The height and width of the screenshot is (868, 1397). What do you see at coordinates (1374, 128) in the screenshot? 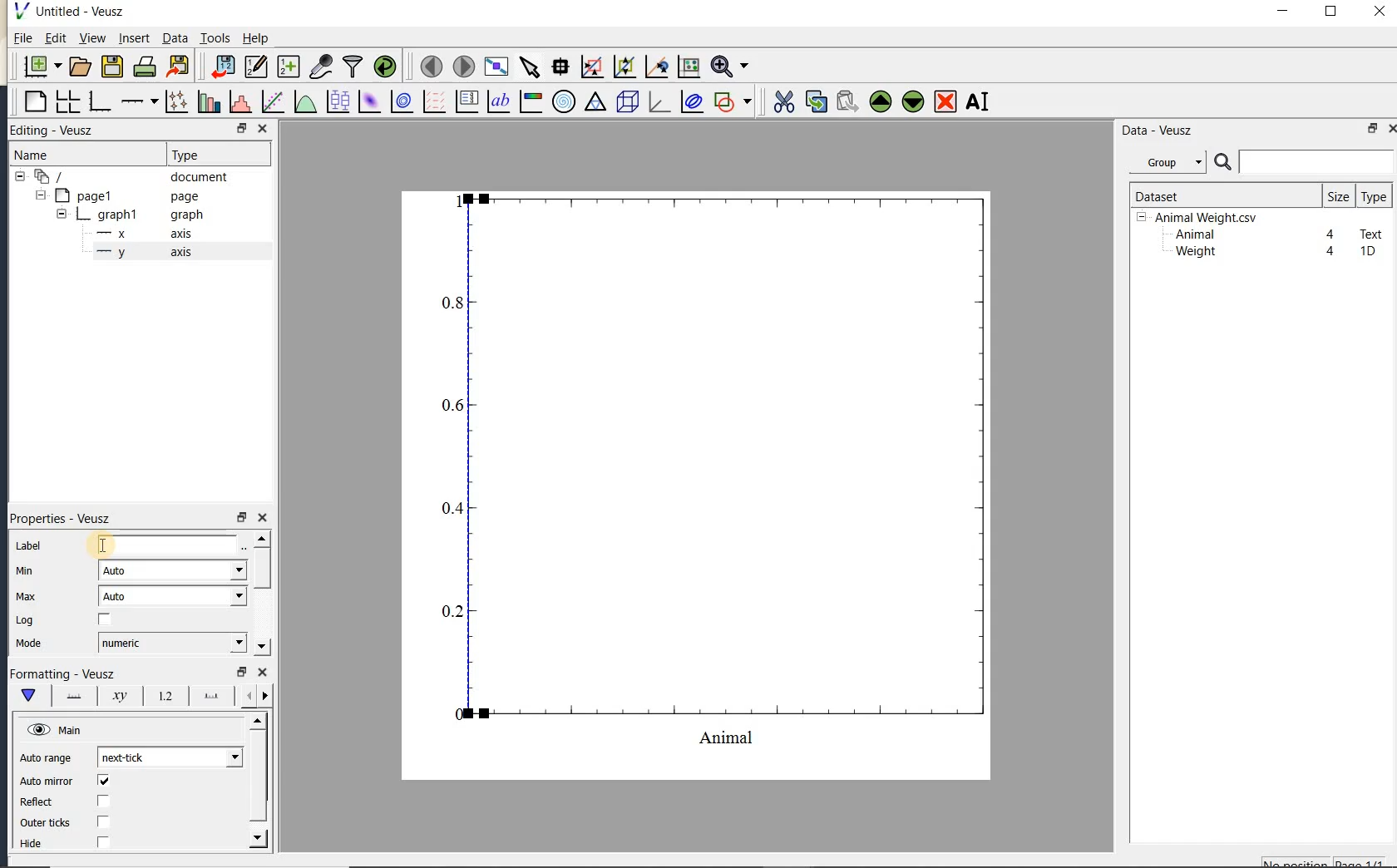
I see `restore` at bounding box center [1374, 128].